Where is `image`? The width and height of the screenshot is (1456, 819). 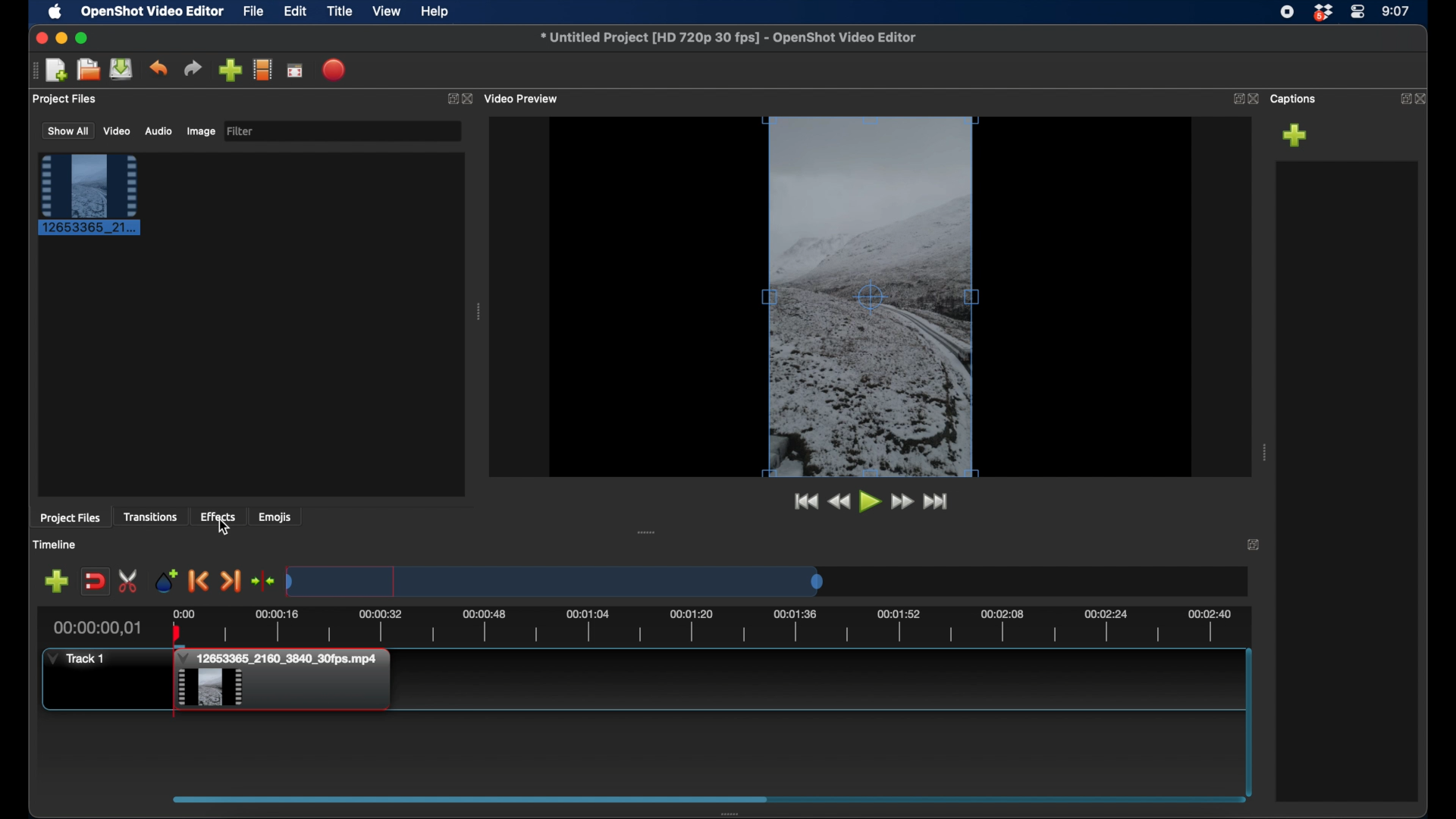
image is located at coordinates (200, 131).